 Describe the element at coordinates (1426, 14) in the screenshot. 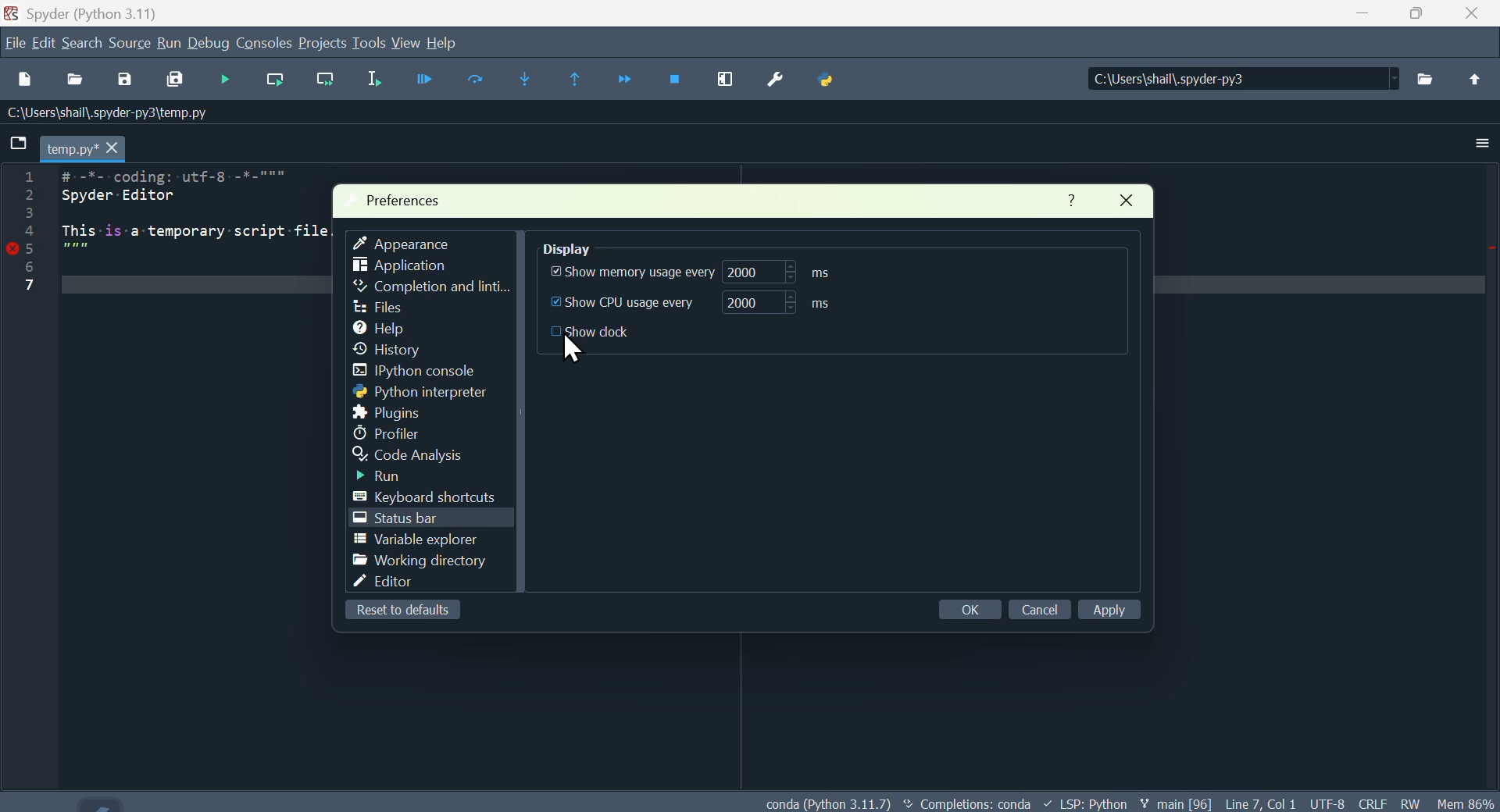

I see `Maximise` at that location.